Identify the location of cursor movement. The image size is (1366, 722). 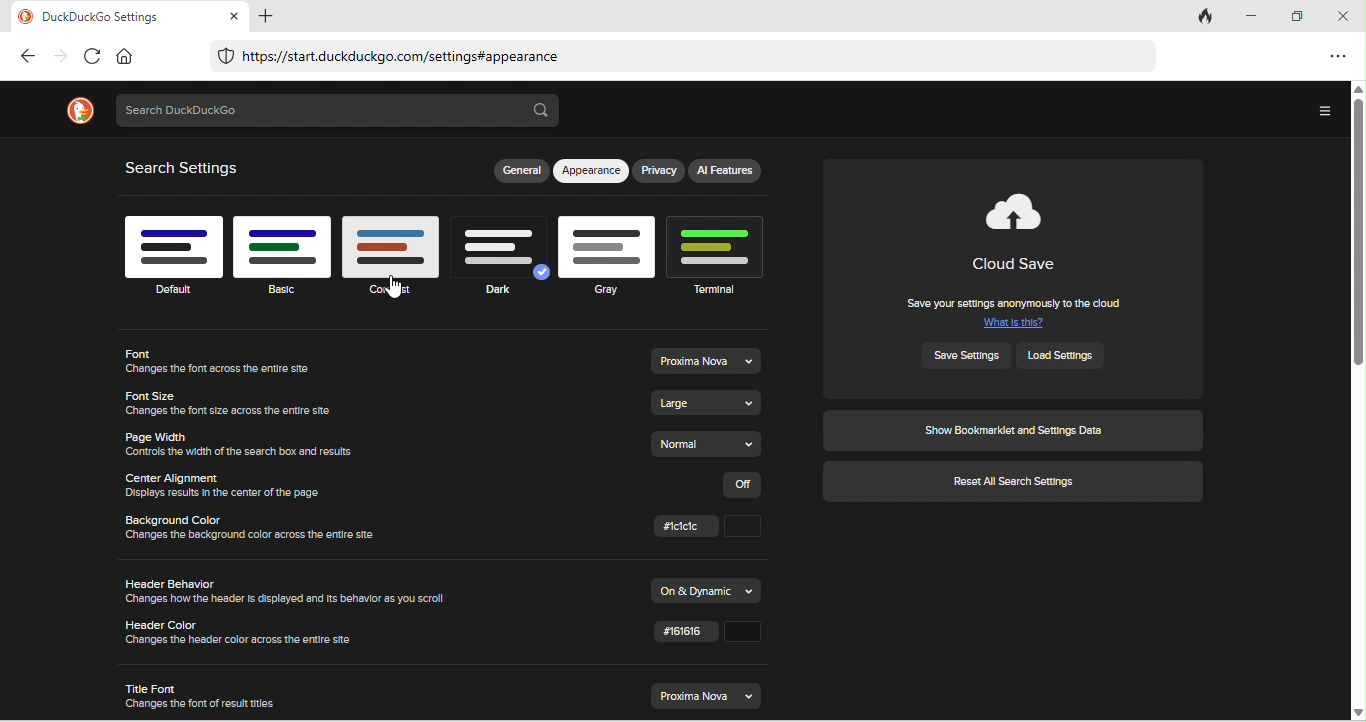
(396, 285).